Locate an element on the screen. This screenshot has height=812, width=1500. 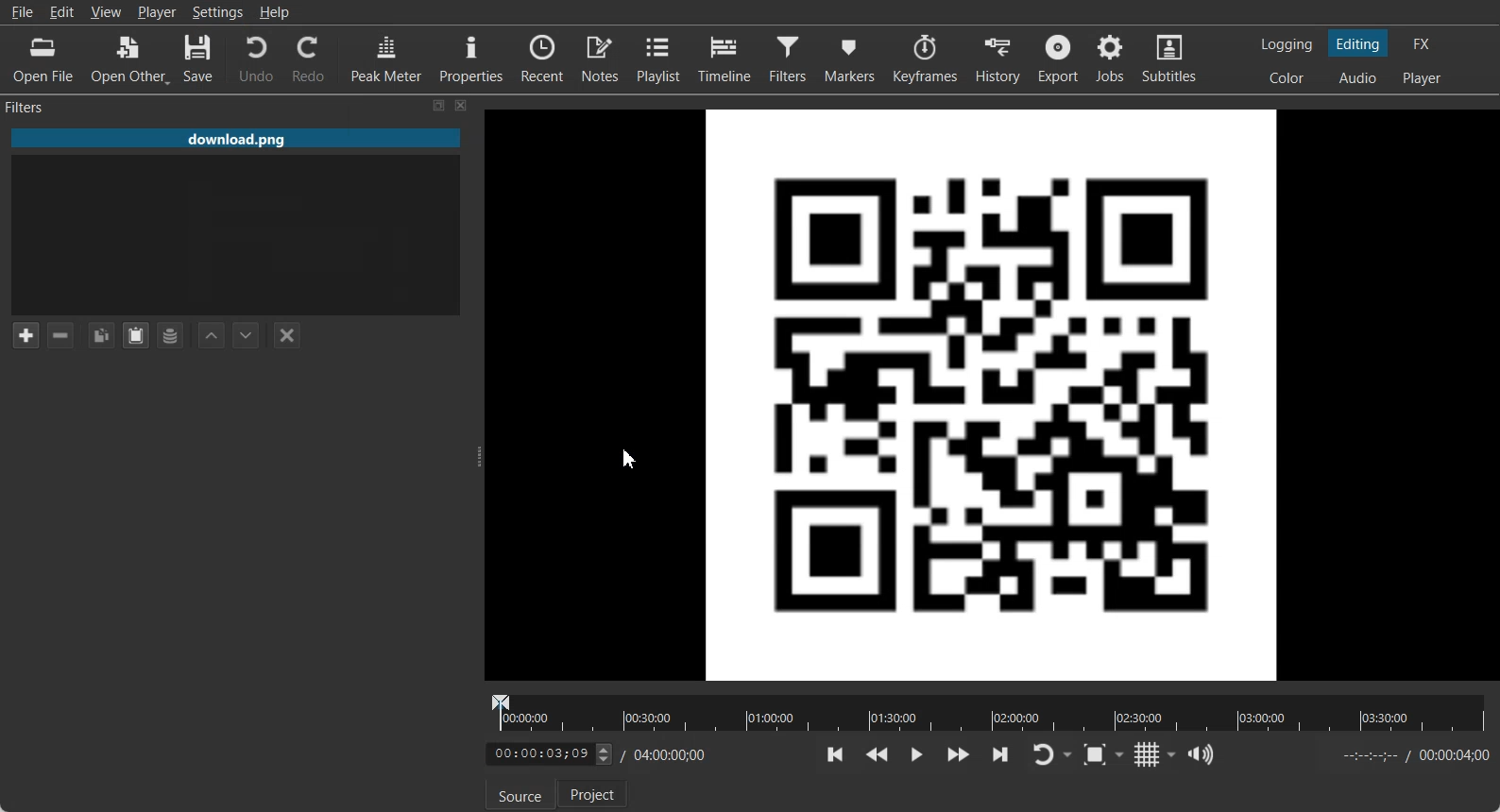
Move filter Down is located at coordinates (247, 335).